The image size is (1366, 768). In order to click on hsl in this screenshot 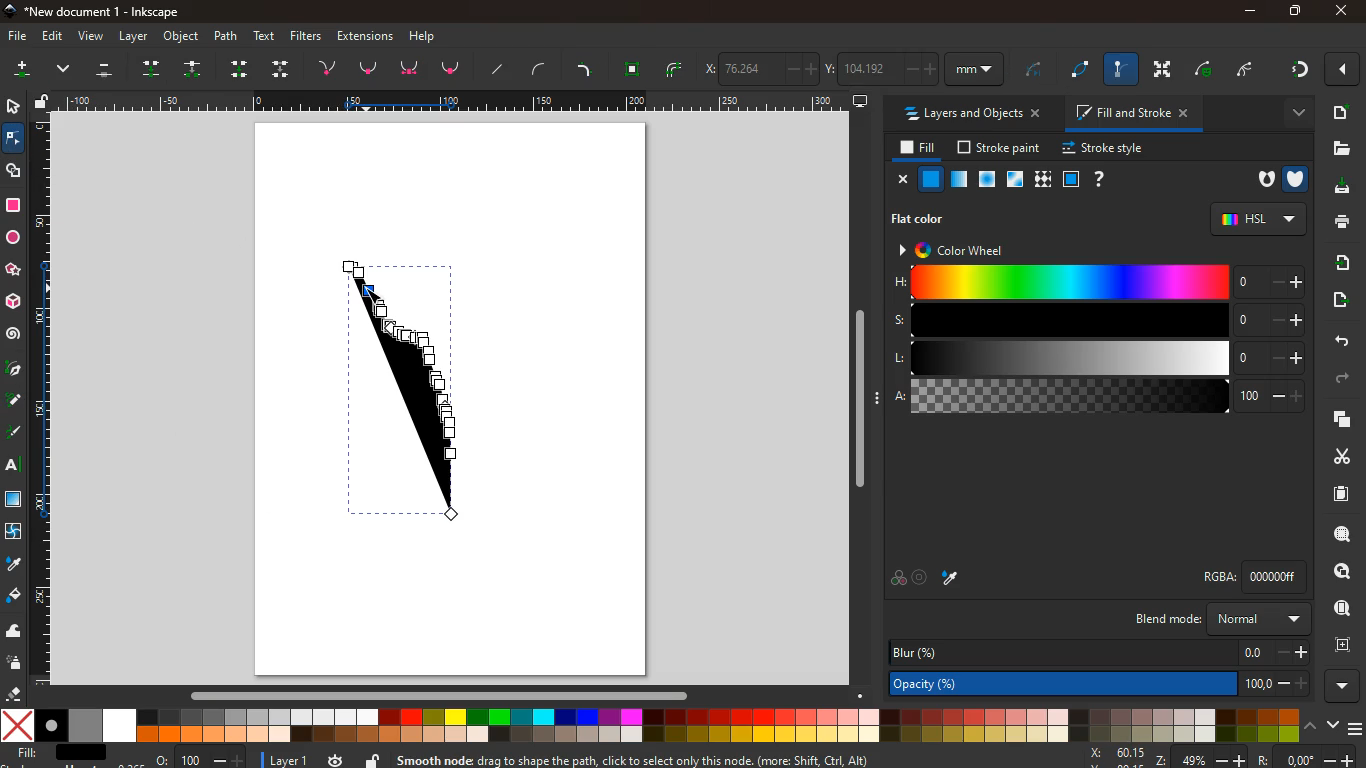, I will do `click(1257, 218)`.